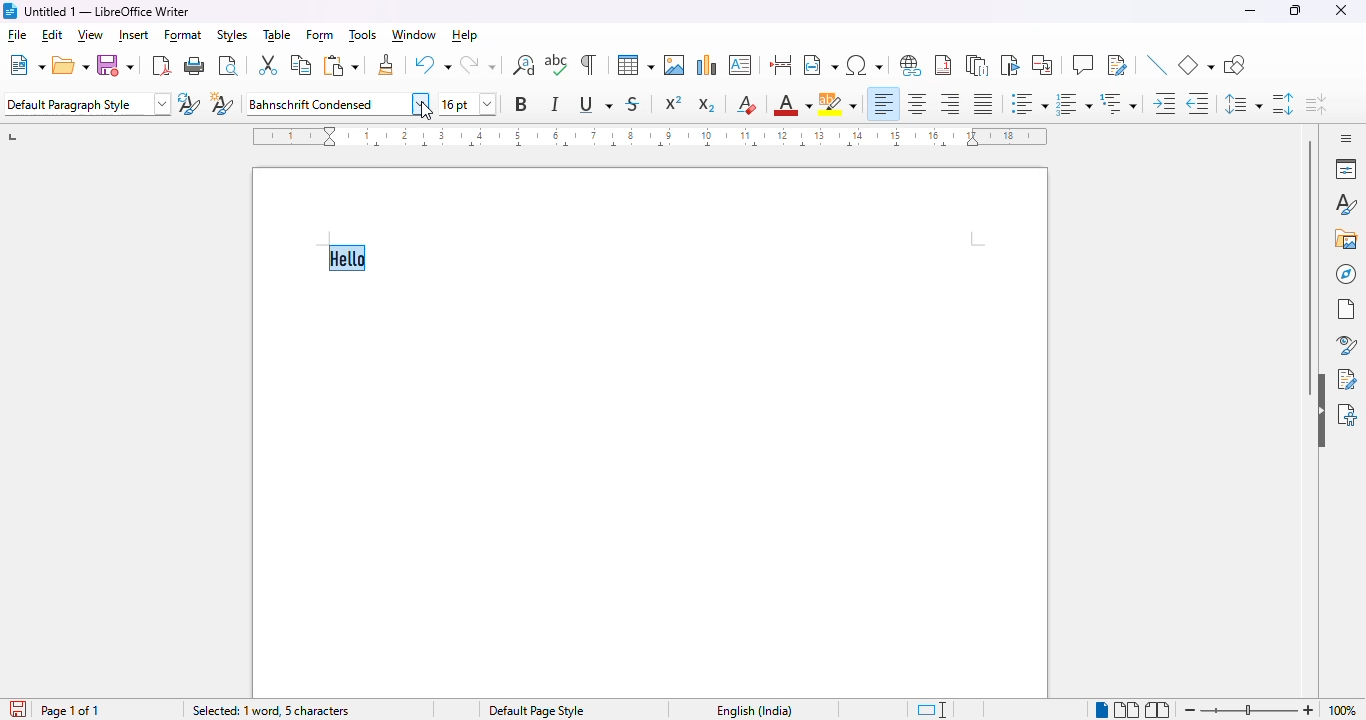 The image size is (1366, 720). What do you see at coordinates (917, 103) in the screenshot?
I see `align center` at bounding box center [917, 103].